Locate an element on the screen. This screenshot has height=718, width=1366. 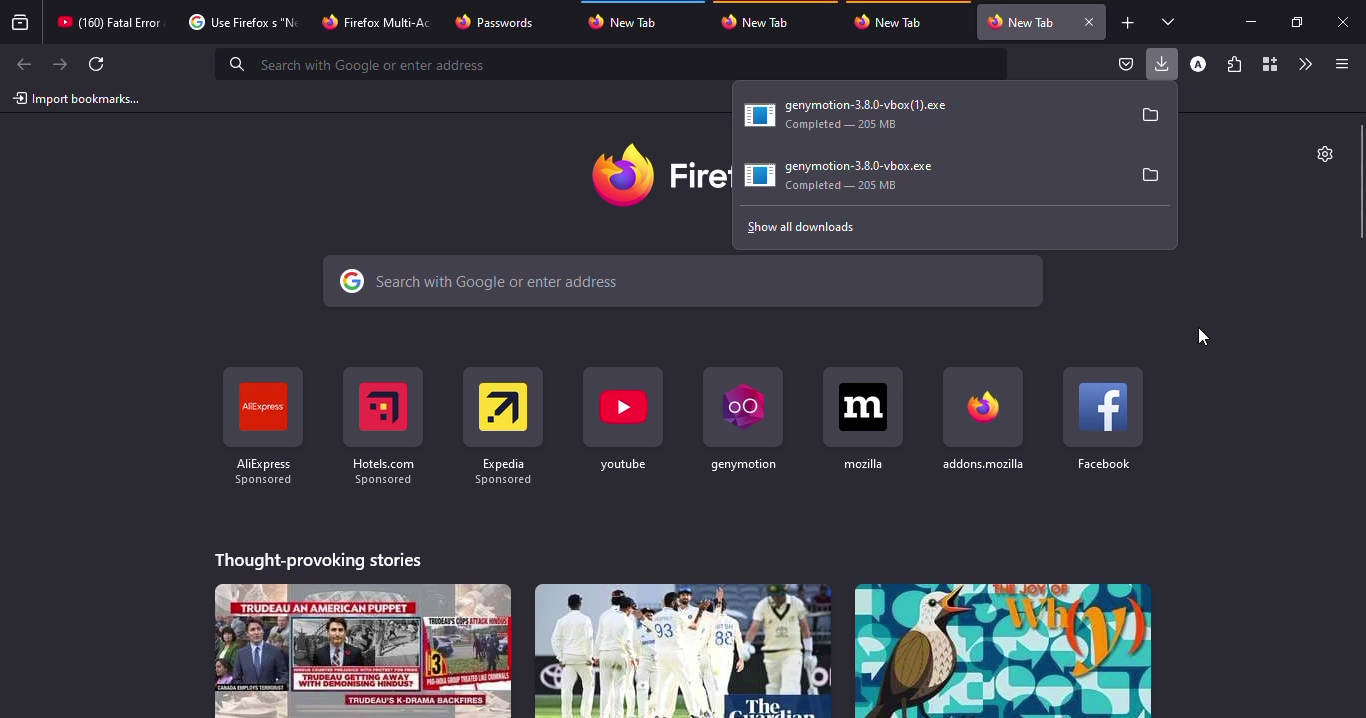
scroll bar is located at coordinates (1367, 183).